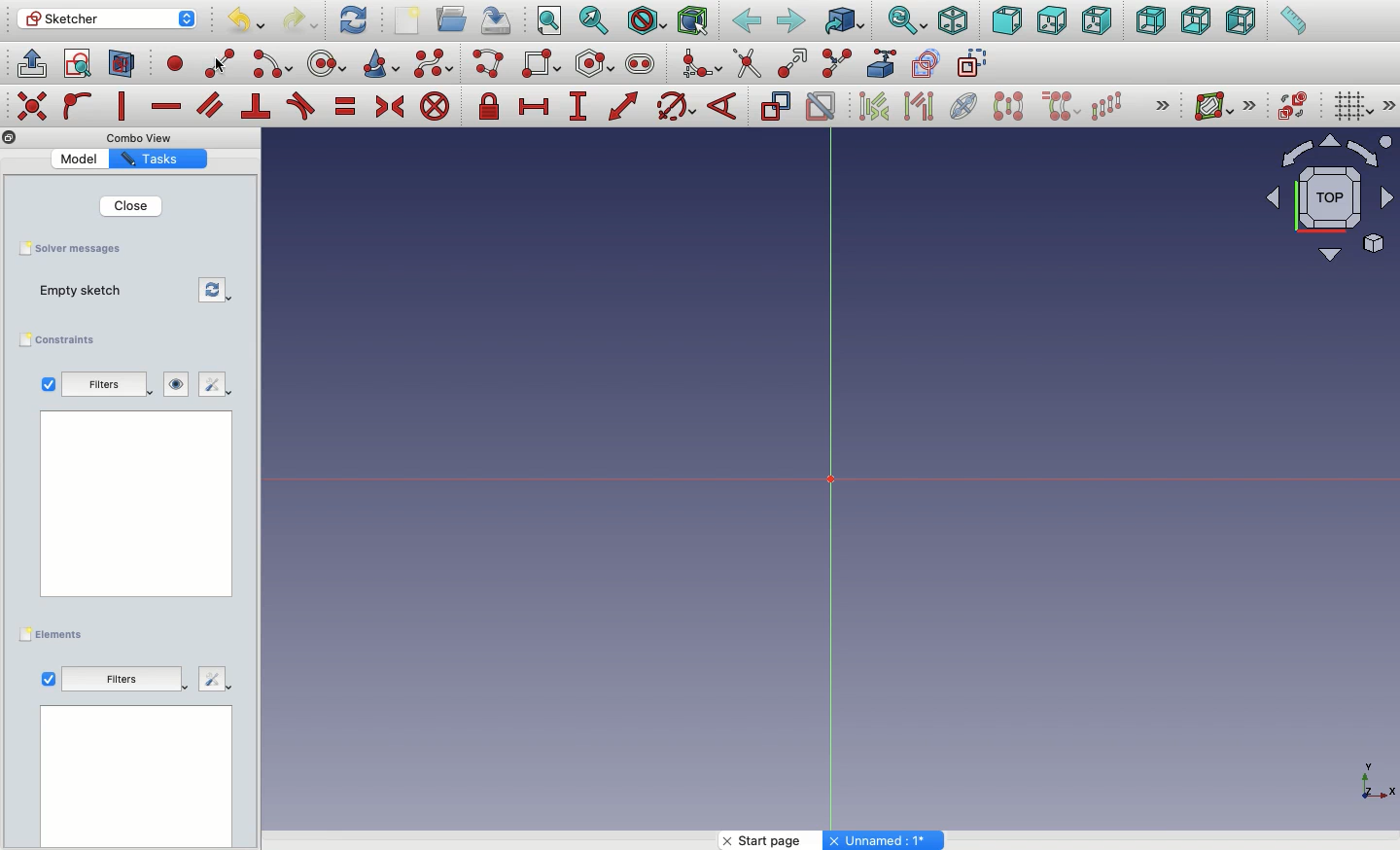 This screenshot has width=1400, height=850. I want to click on Constrain vertical distance, so click(581, 108).